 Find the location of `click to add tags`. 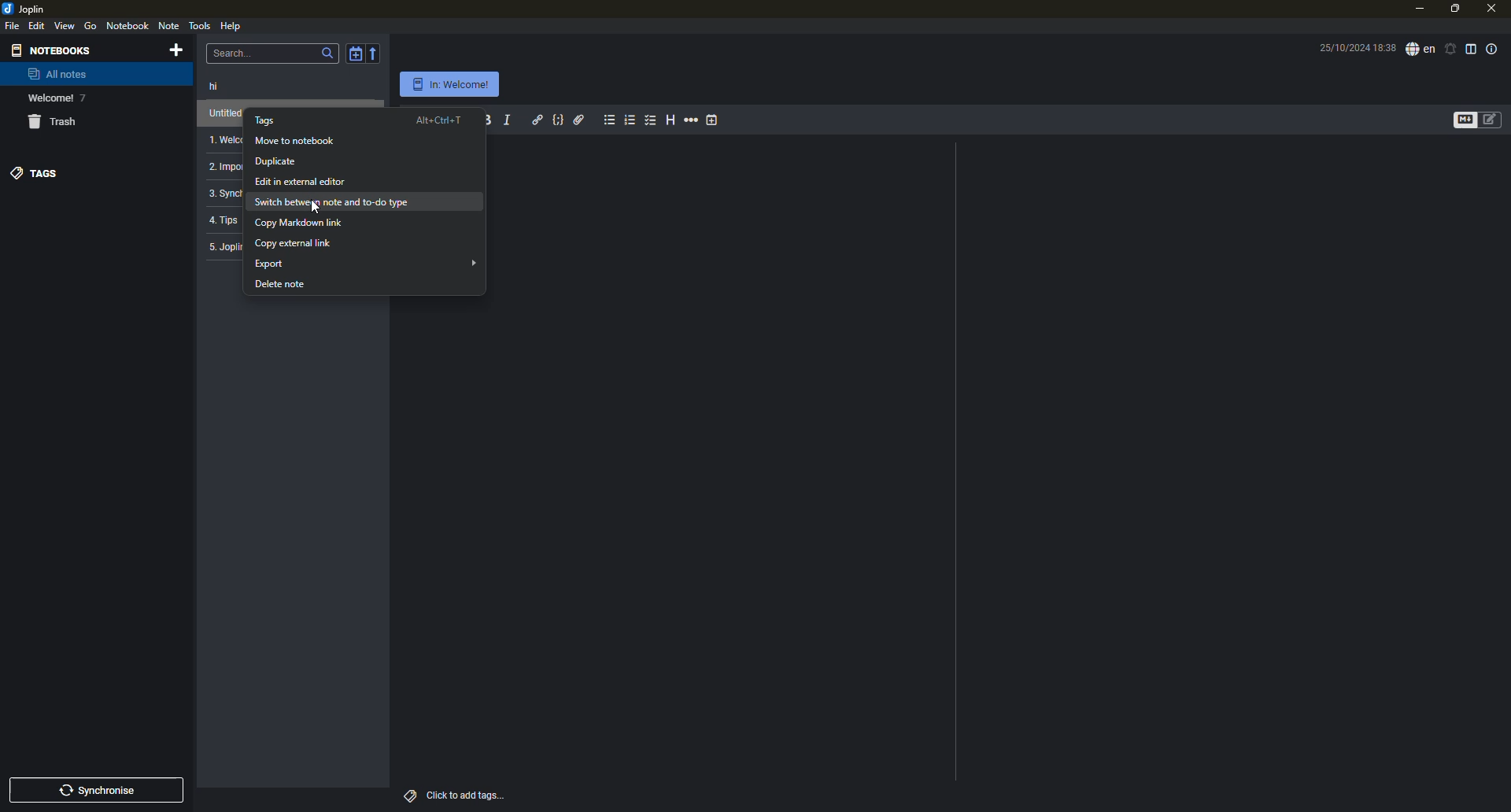

click to add tags is located at coordinates (467, 795).